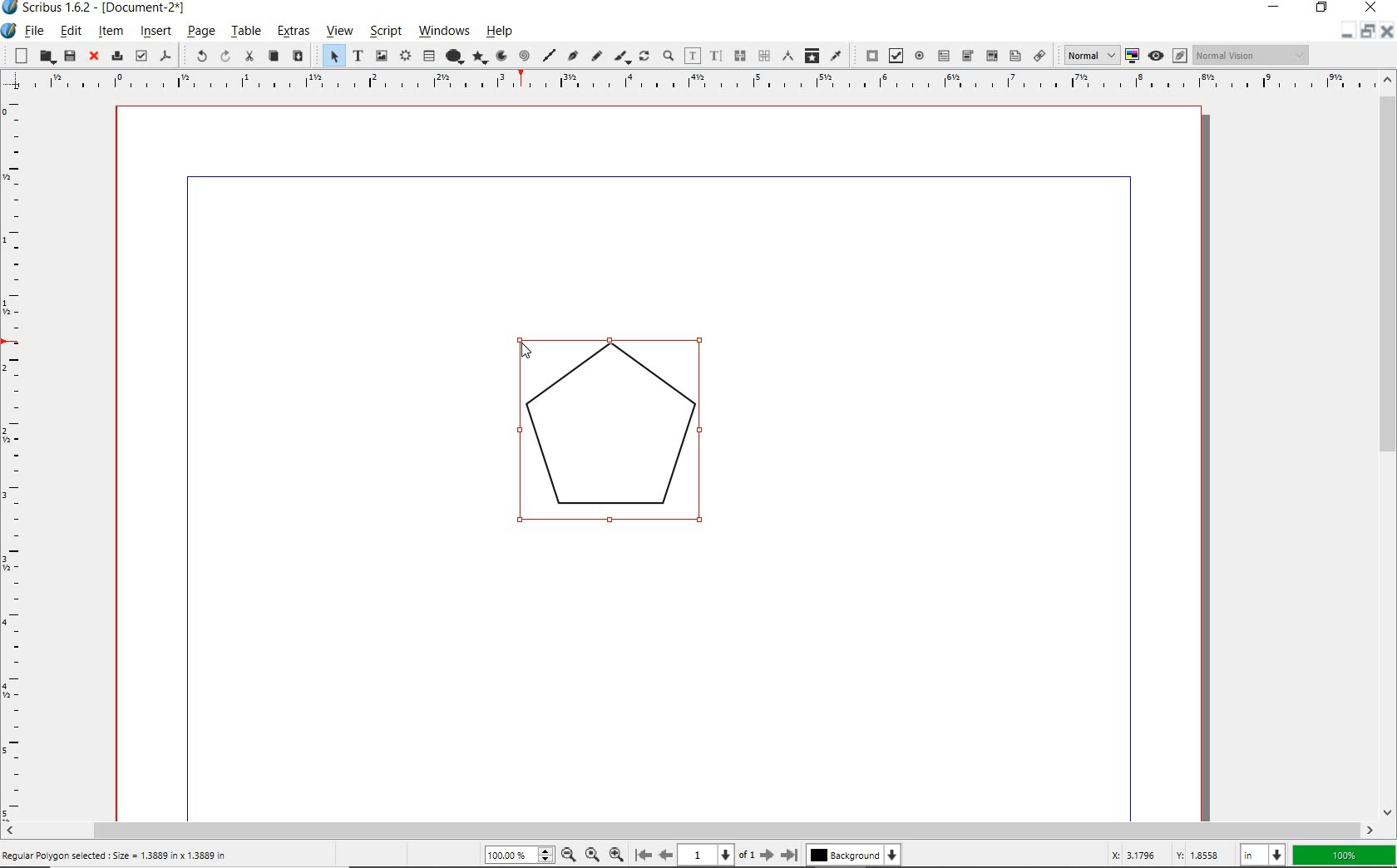 The height and width of the screenshot is (868, 1397). What do you see at coordinates (445, 32) in the screenshot?
I see `windows` at bounding box center [445, 32].